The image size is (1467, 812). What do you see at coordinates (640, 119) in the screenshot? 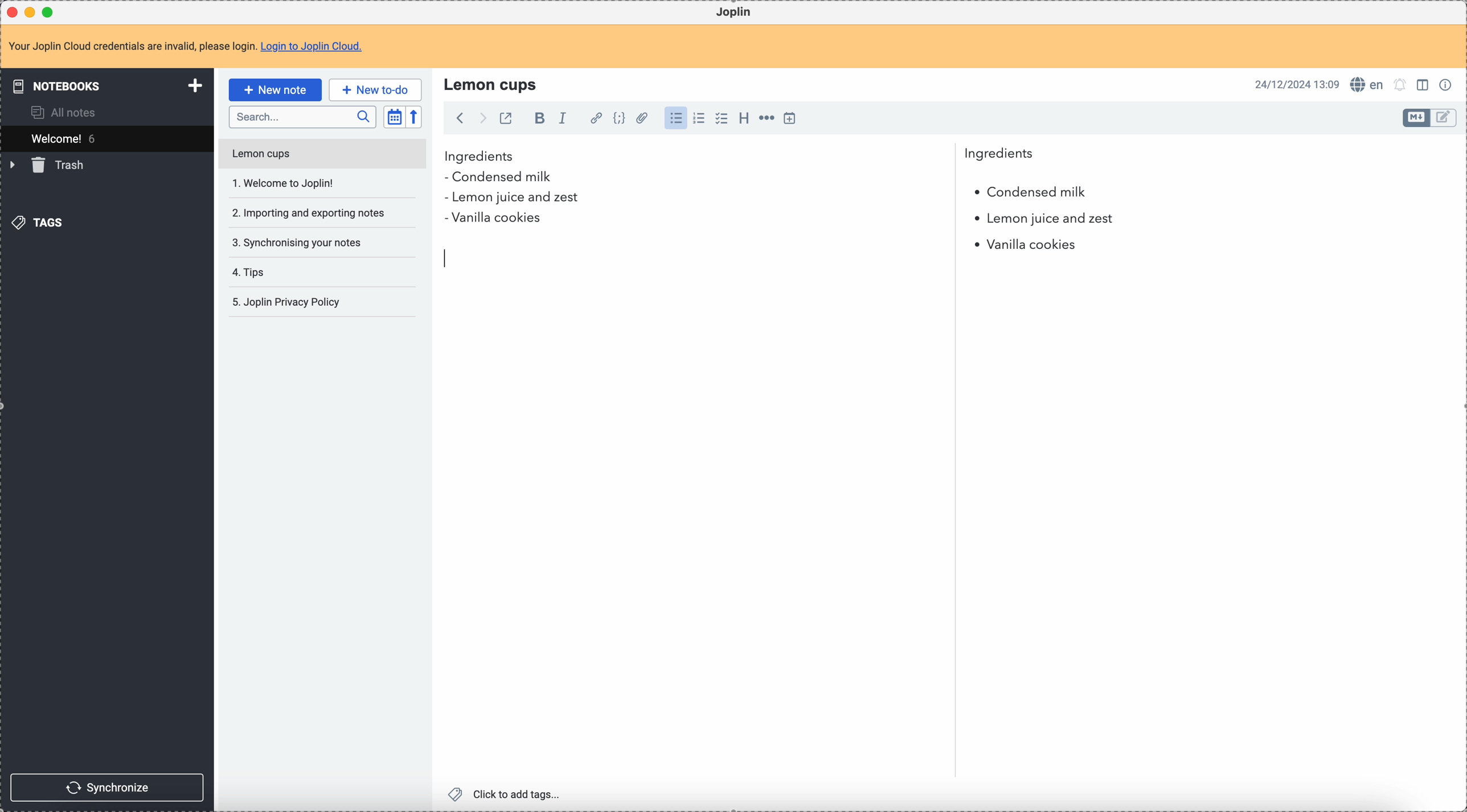
I see `attach file` at bounding box center [640, 119].